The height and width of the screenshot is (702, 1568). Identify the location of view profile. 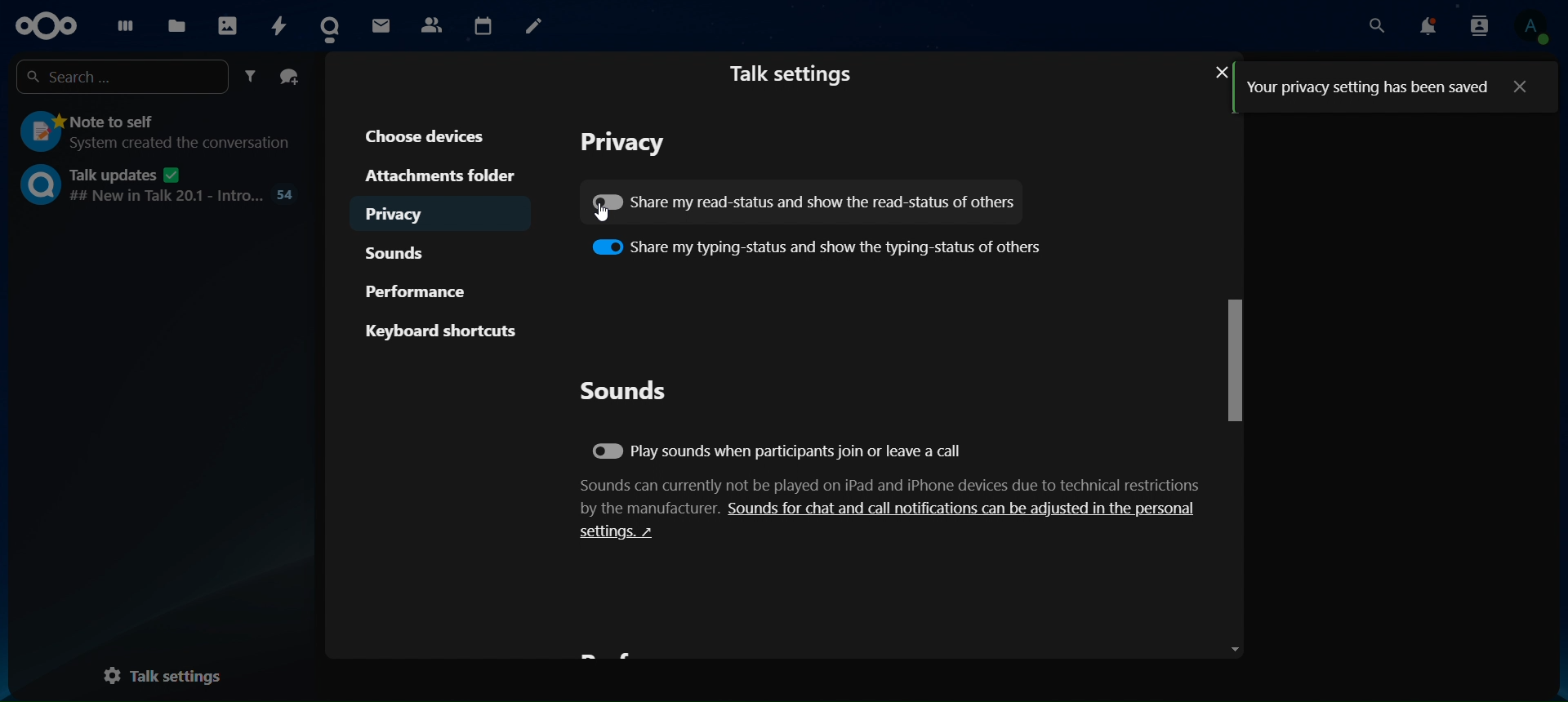
(1533, 28).